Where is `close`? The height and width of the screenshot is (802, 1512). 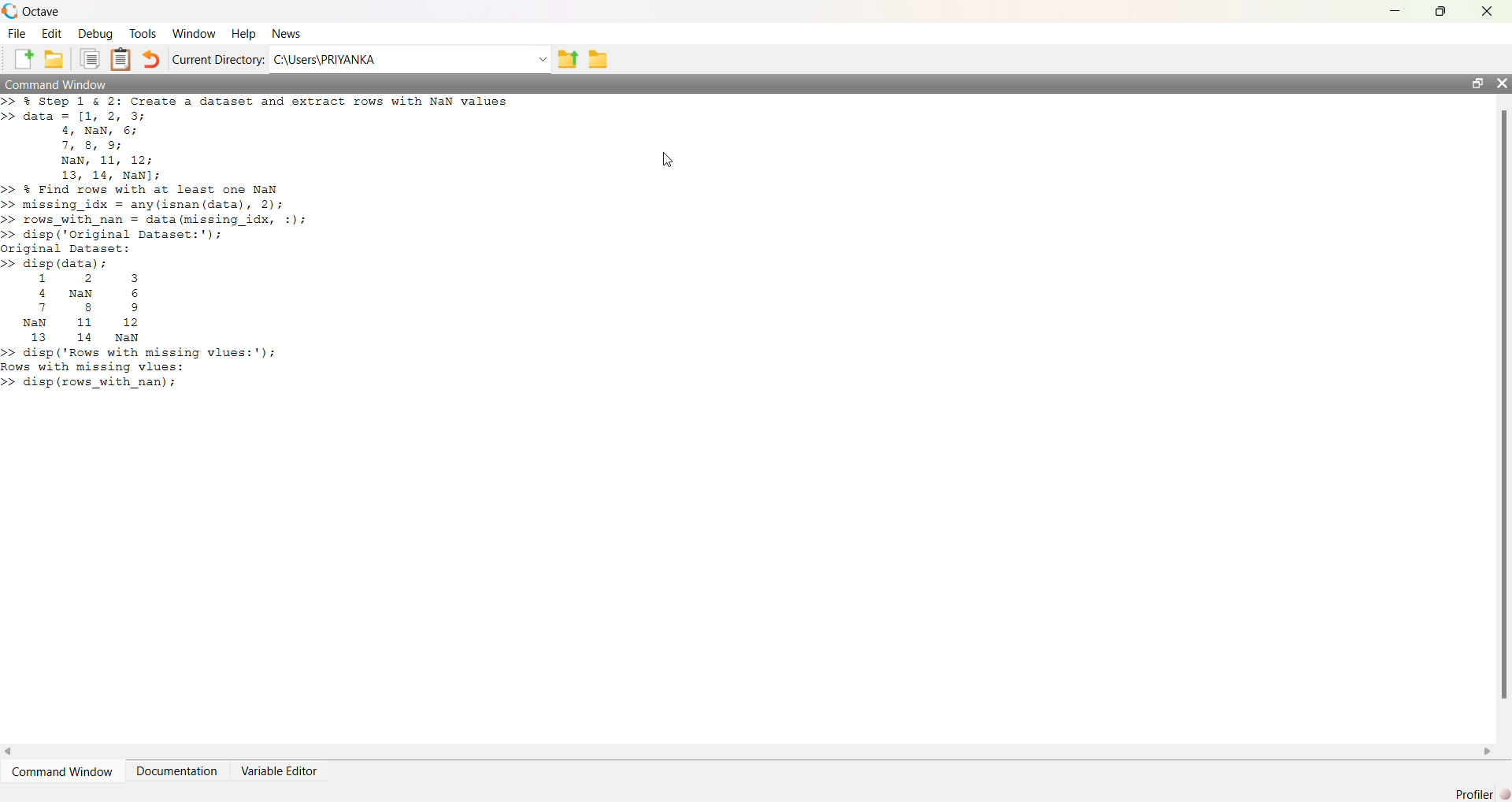
close is located at coordinates (1501, 83).